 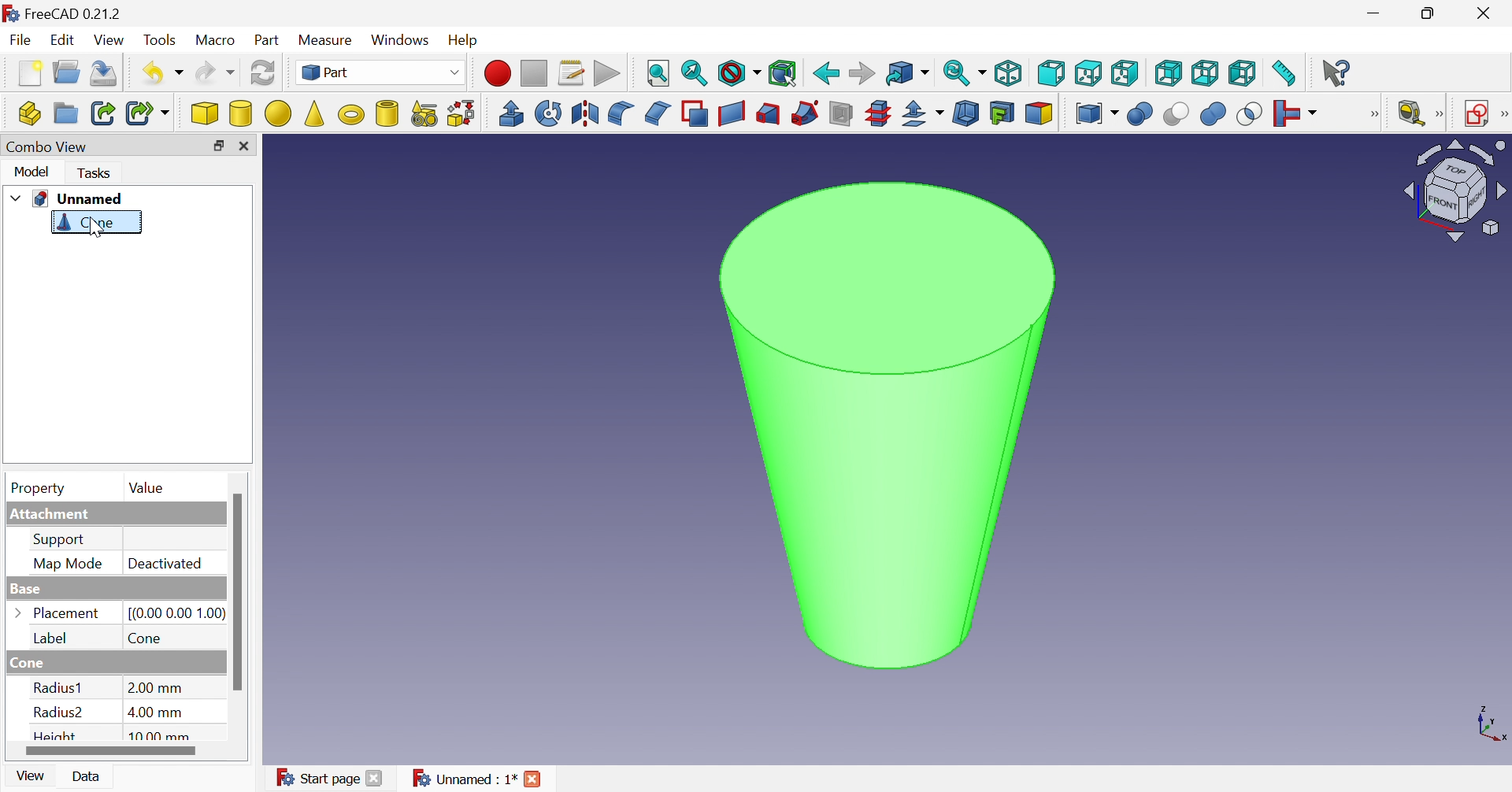 I want to click on Cone, so click(x=25, y=663).